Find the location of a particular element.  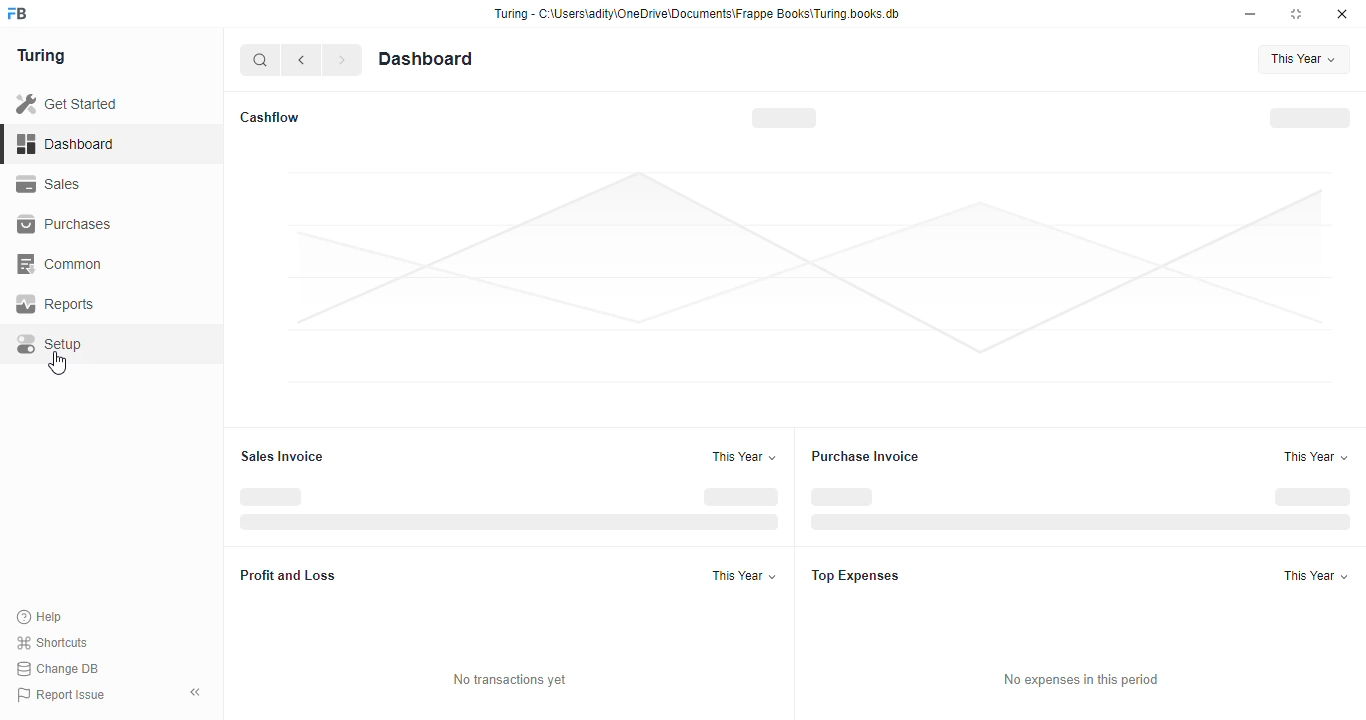

forward is located at coordinates (343, 59).